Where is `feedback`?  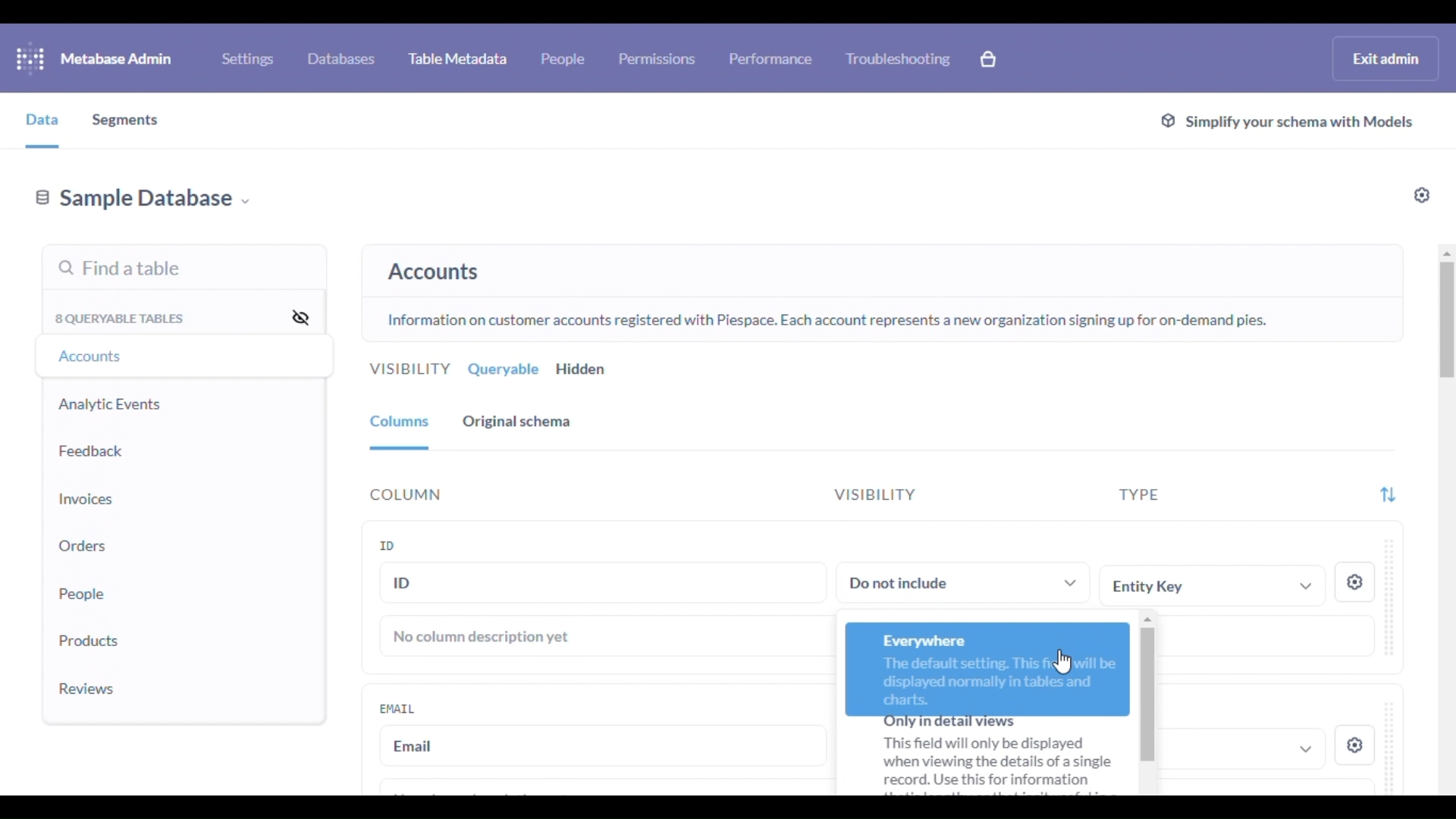
feedback is located at coordinates (92, 451).